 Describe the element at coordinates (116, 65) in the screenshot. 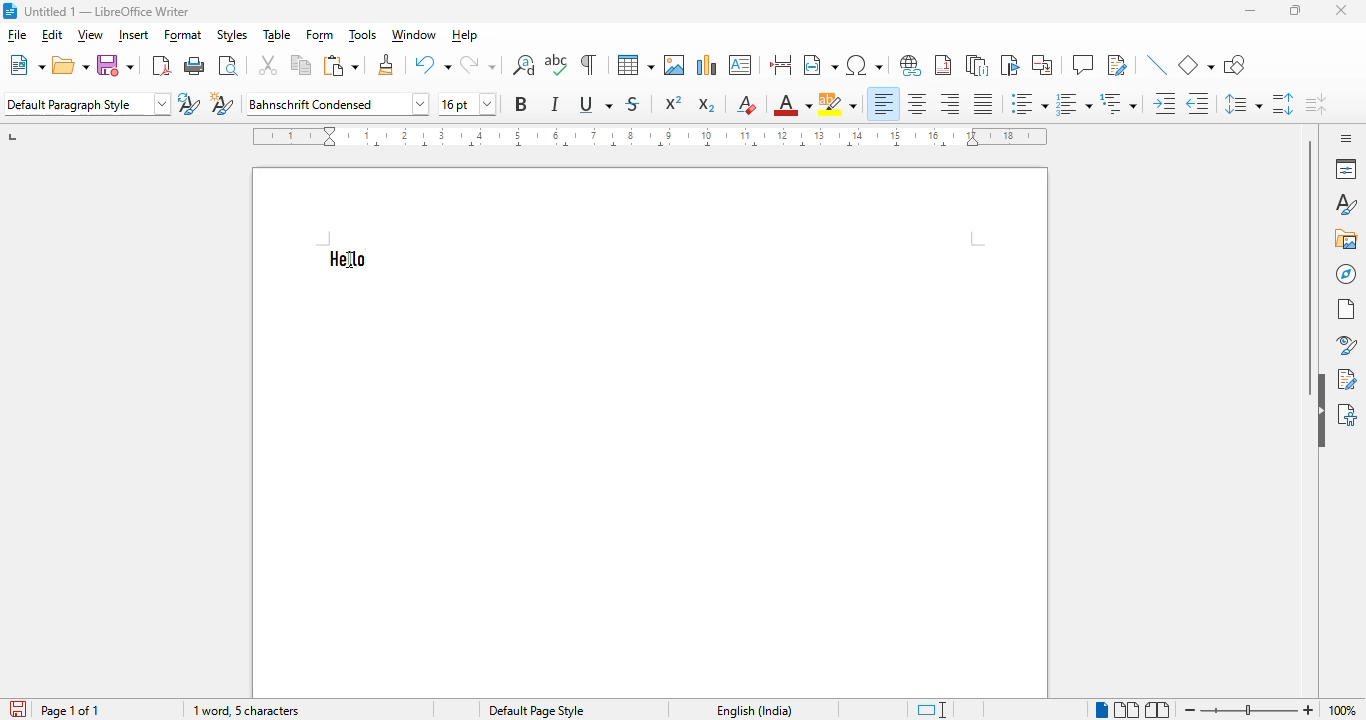

I see `save` at that location.